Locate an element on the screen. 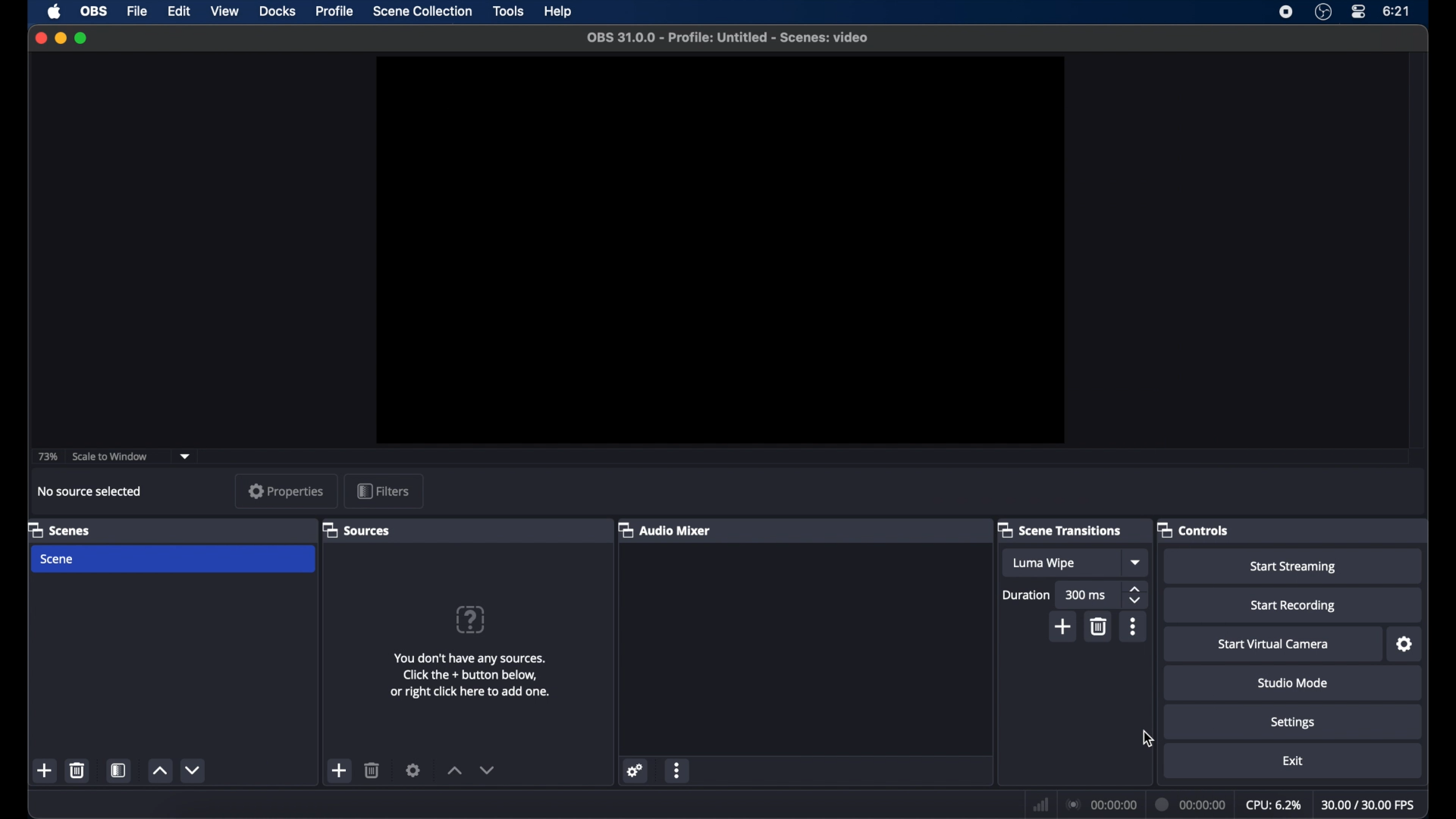  settings is located at coordinates (1293, 723).